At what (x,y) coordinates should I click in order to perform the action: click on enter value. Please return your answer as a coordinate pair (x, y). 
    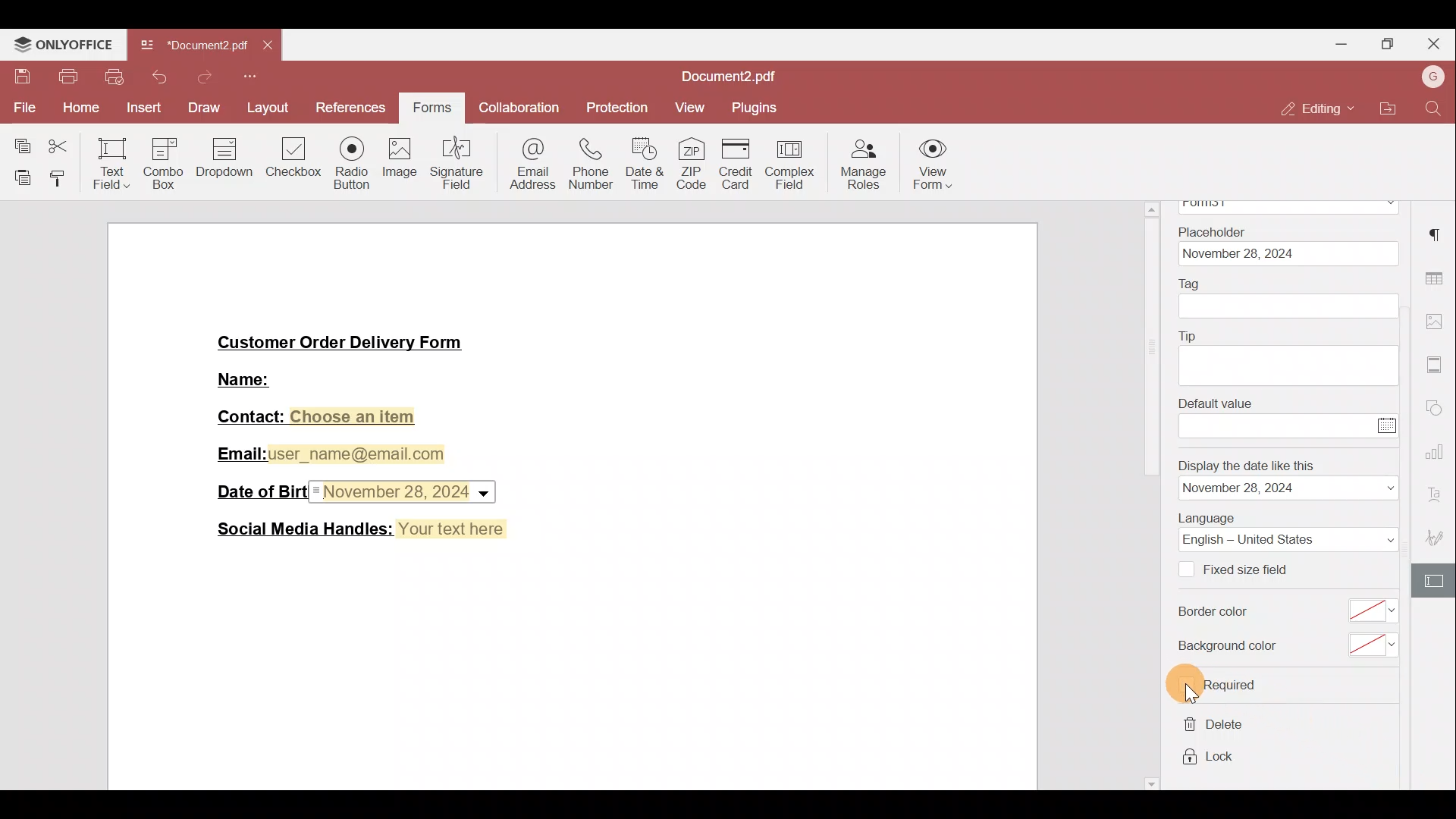
    Looking at the image, I should click on (1274, 426).